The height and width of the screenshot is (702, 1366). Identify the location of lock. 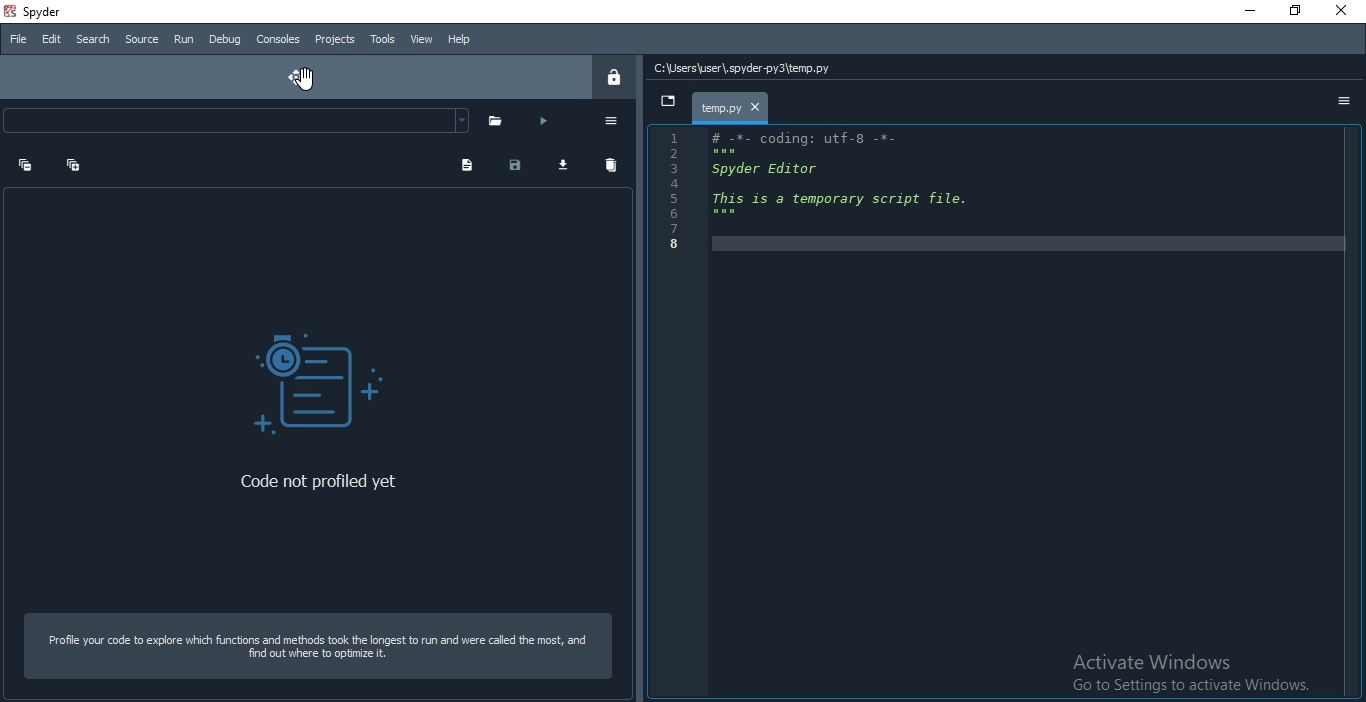
(618, 78).